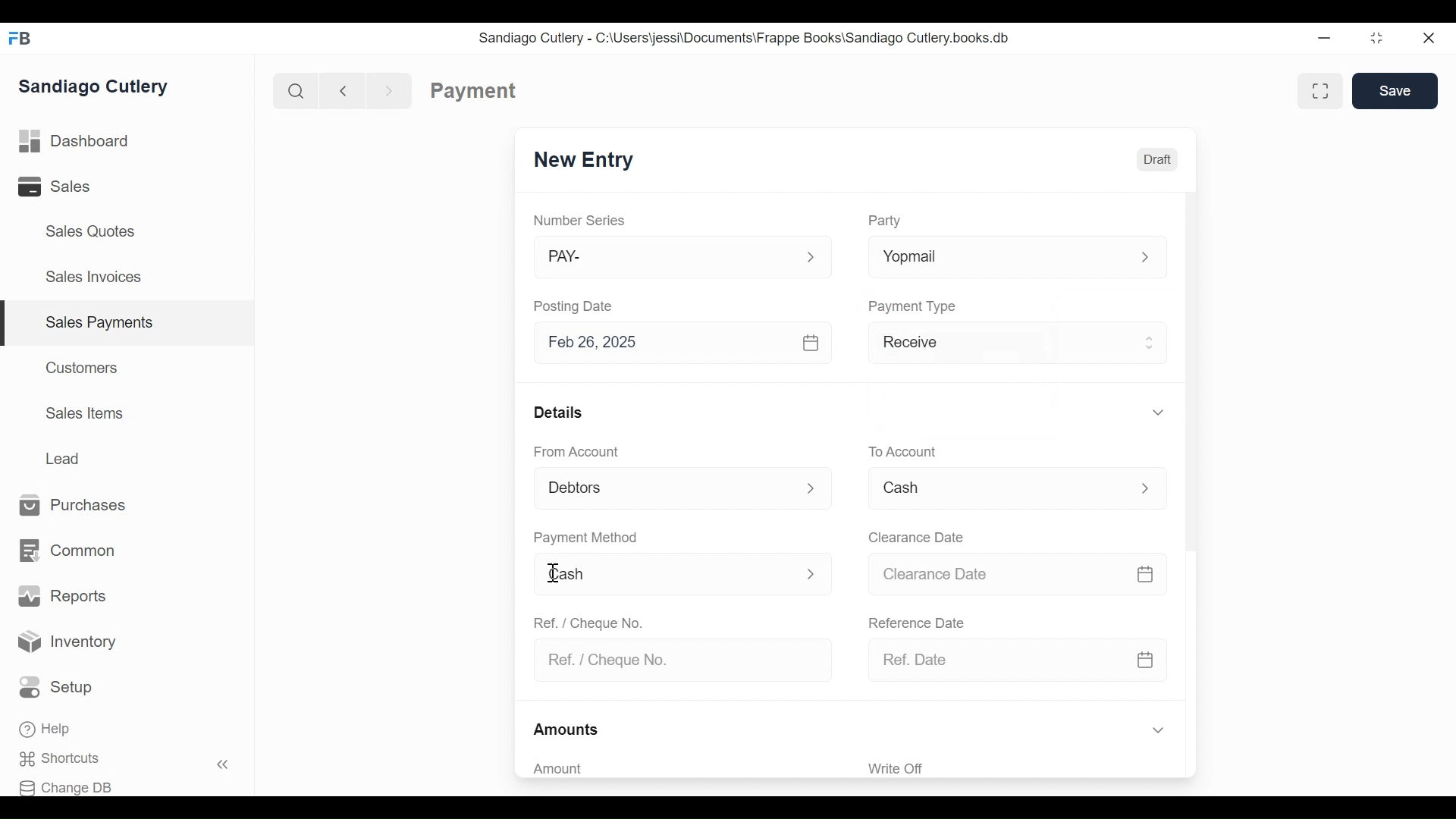 The image size is (1456, 819). What do you see at coordinates (340, 90) in the screenshot?
I see `Navigate Back` at bounding box center [340, 90].